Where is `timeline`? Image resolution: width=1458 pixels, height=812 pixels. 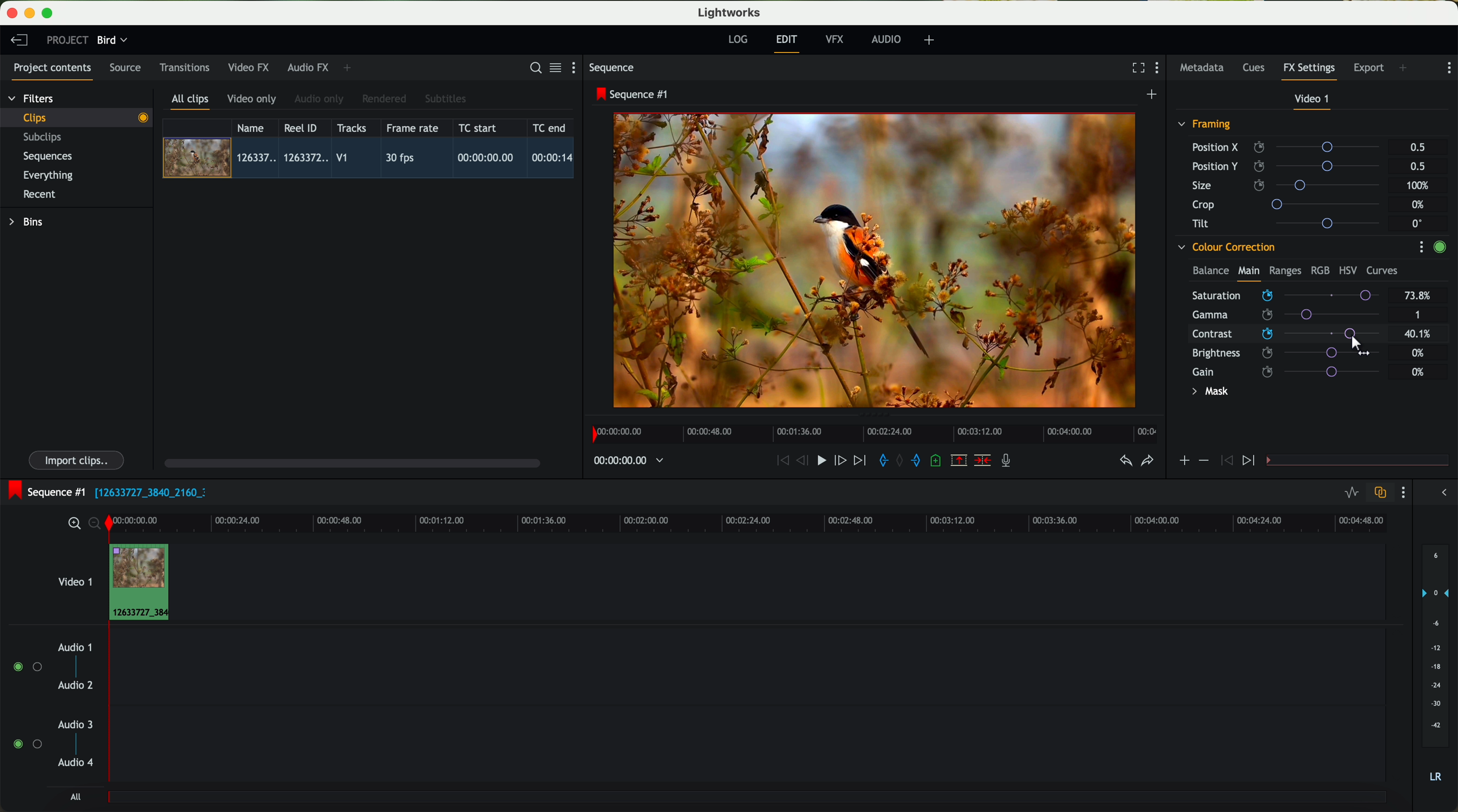 timeline is located at coordinates (871, 431).